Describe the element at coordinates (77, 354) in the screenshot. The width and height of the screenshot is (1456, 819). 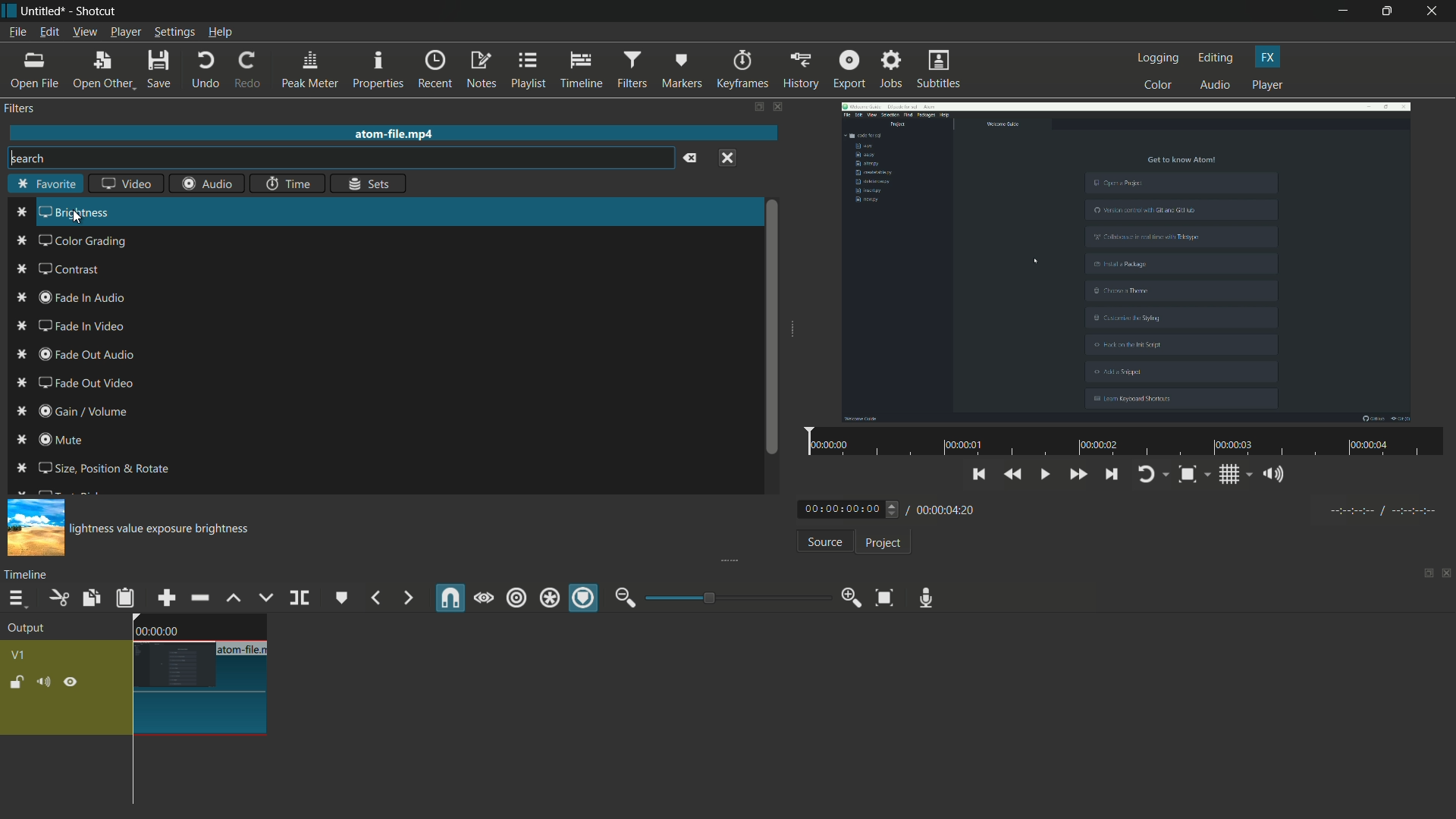
I see `fade out audio` at that location.